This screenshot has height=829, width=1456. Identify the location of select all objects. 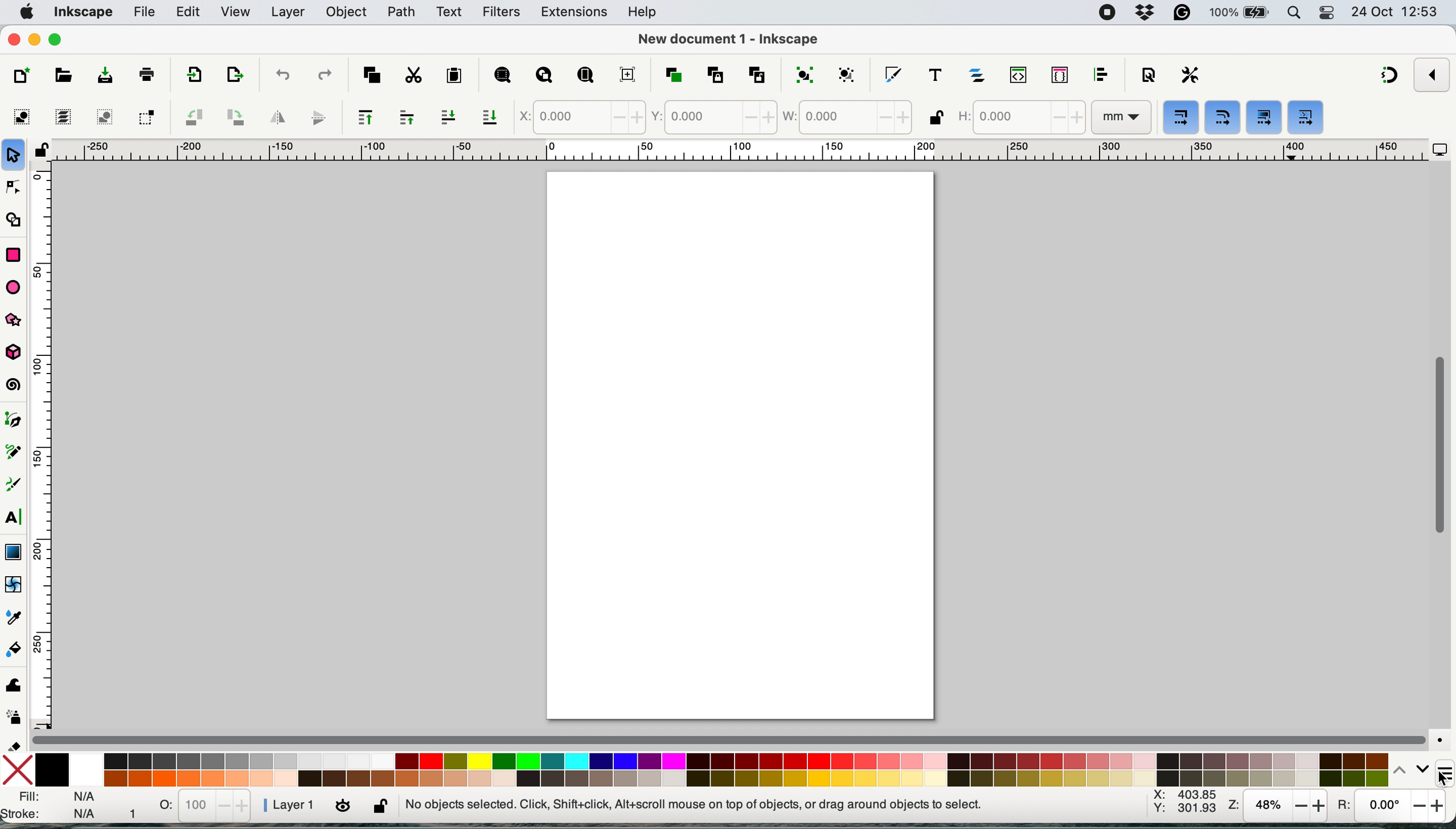
(19, 116).